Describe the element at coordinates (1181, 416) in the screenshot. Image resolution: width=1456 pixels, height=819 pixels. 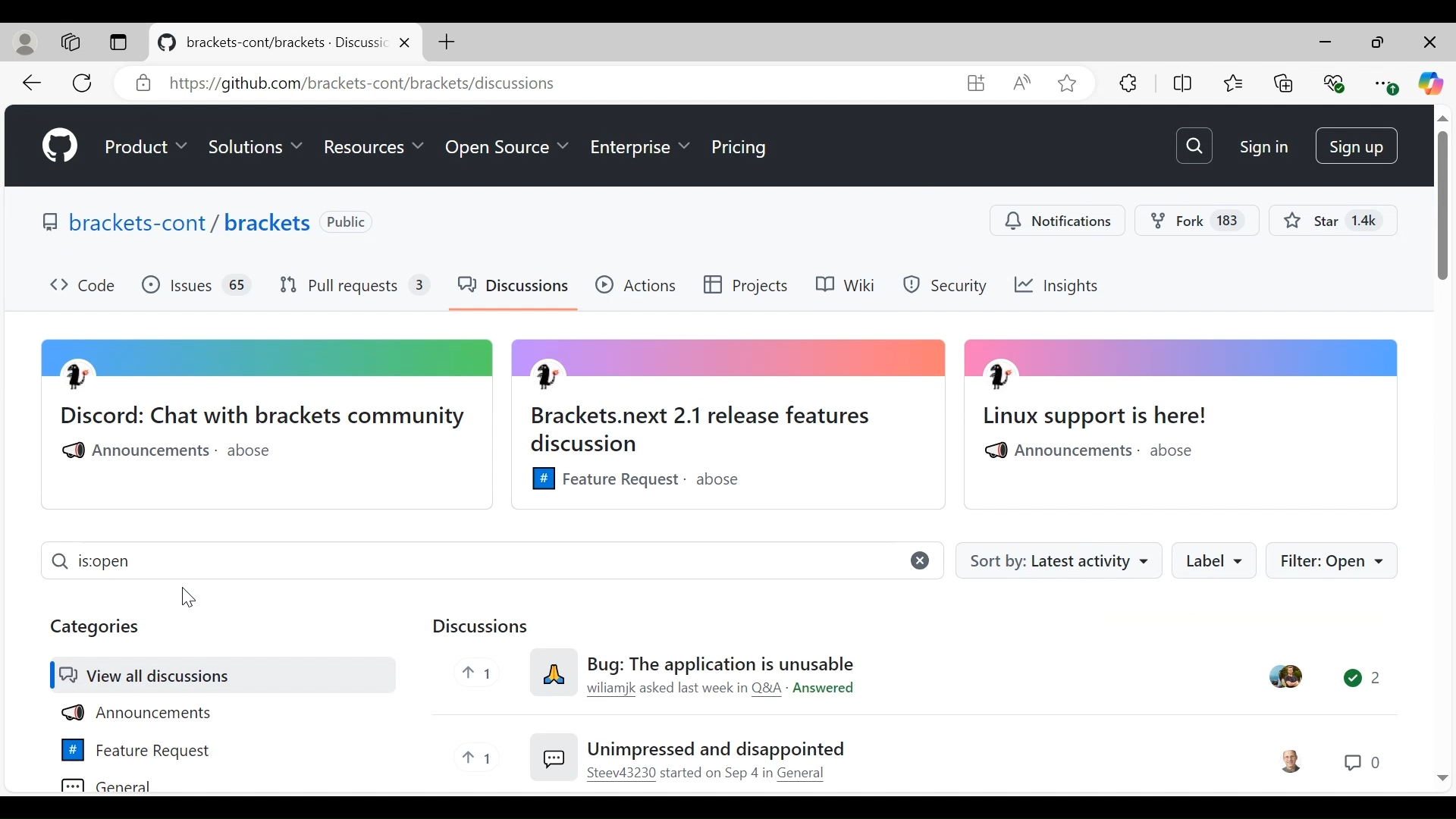
I see `Linux support is here` at that location.